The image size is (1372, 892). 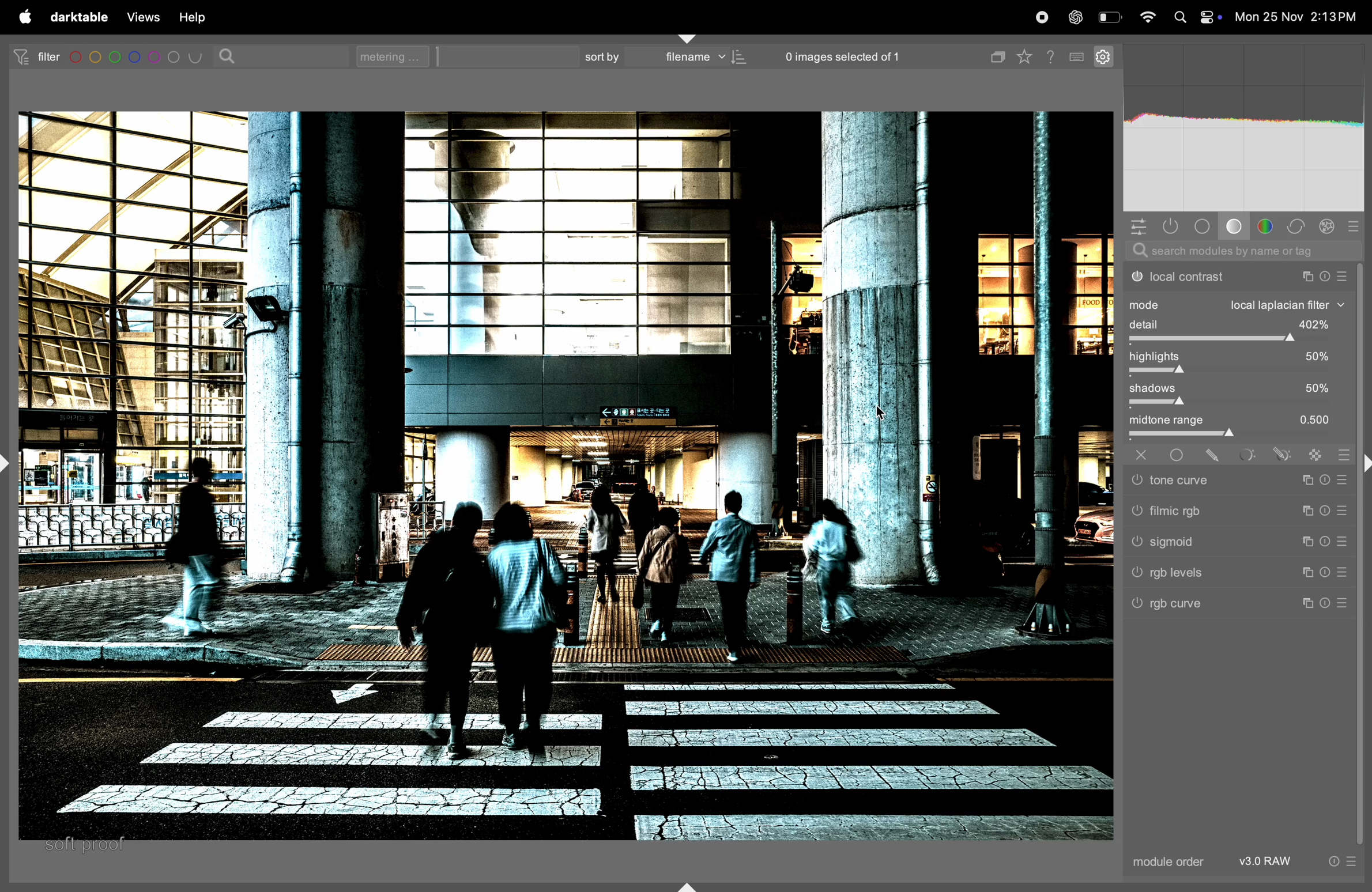 What do you see at coordinates (1237, 357) in the screenshot?
I see `highlights` at bounding box center [1237, 357].